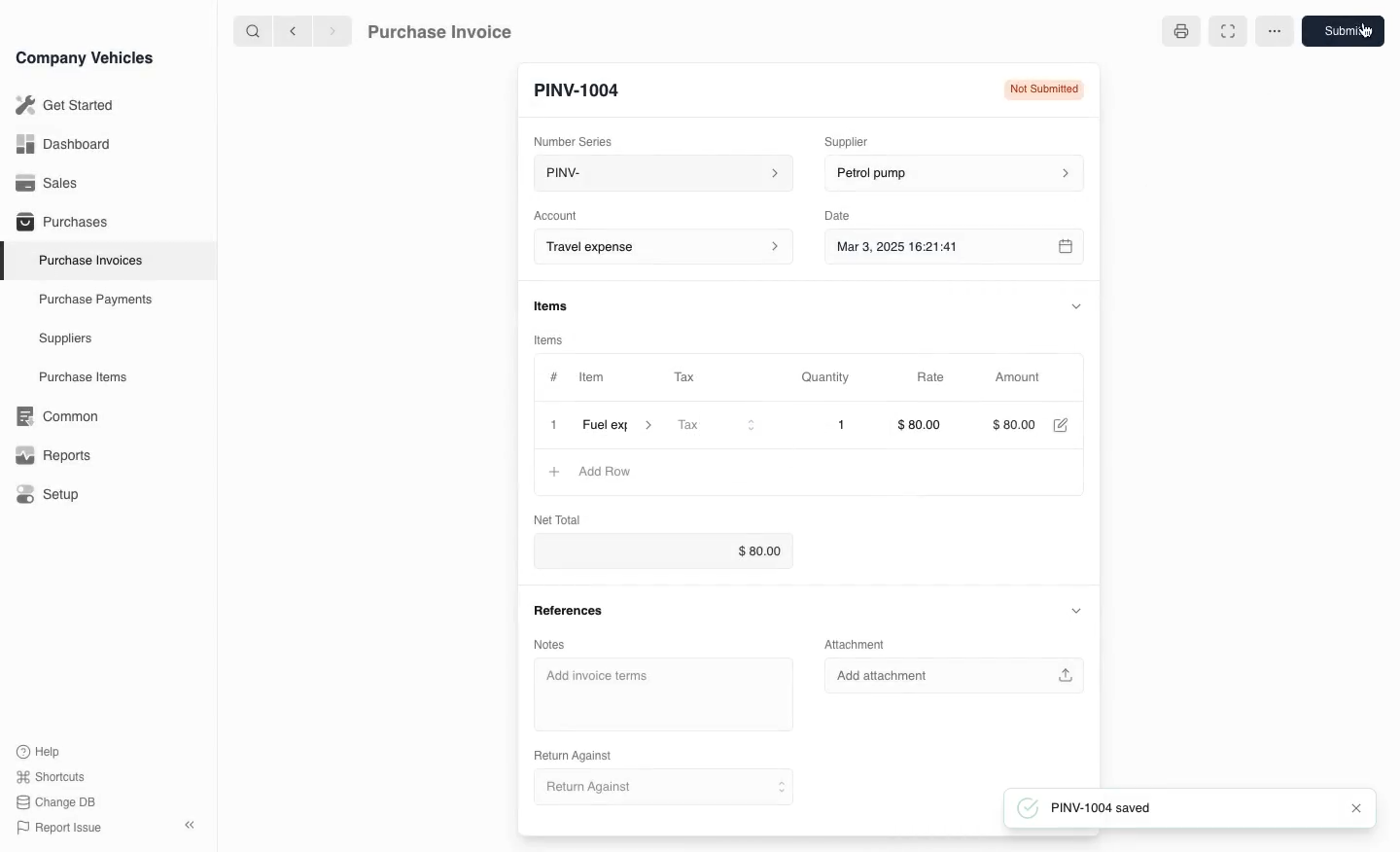 This screenshot has width=1400, height=852. I want to click on Tax , so click(716, 427).